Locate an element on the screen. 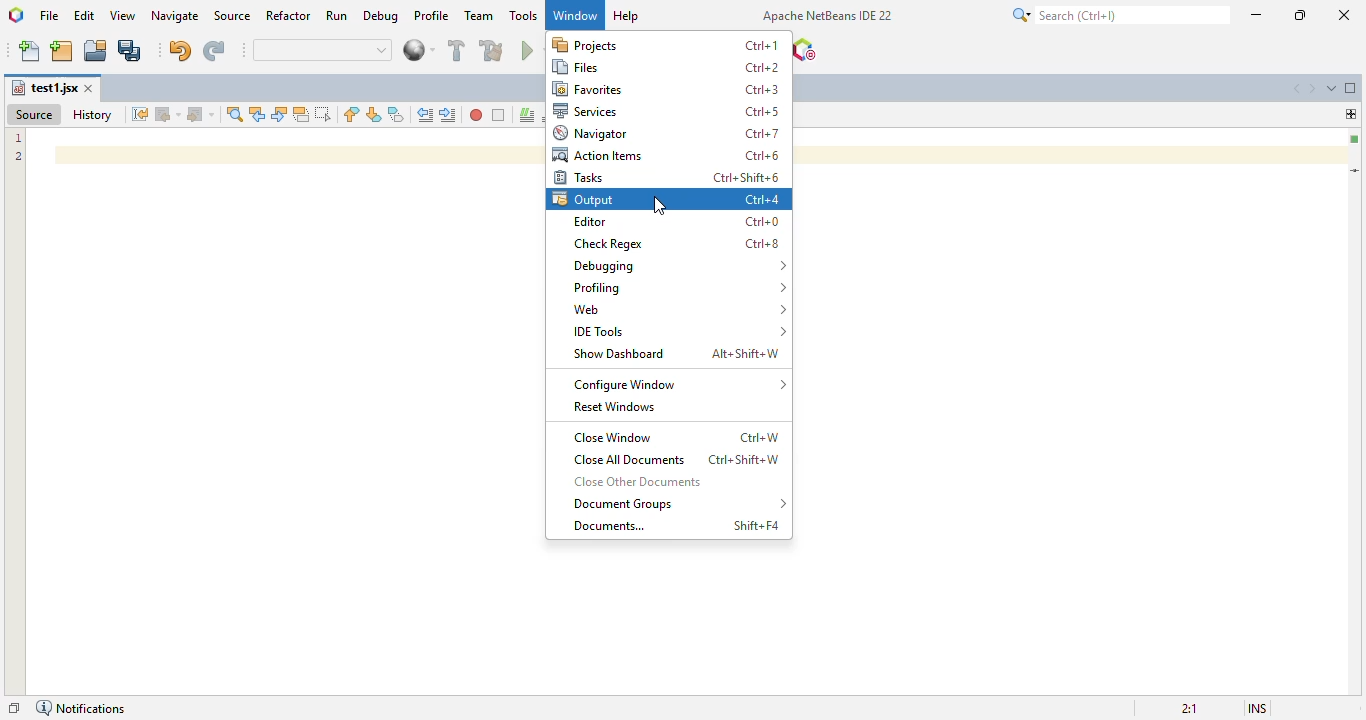 This screenshot has width=1366, height=720. debug is located at coordinates (382, 16).